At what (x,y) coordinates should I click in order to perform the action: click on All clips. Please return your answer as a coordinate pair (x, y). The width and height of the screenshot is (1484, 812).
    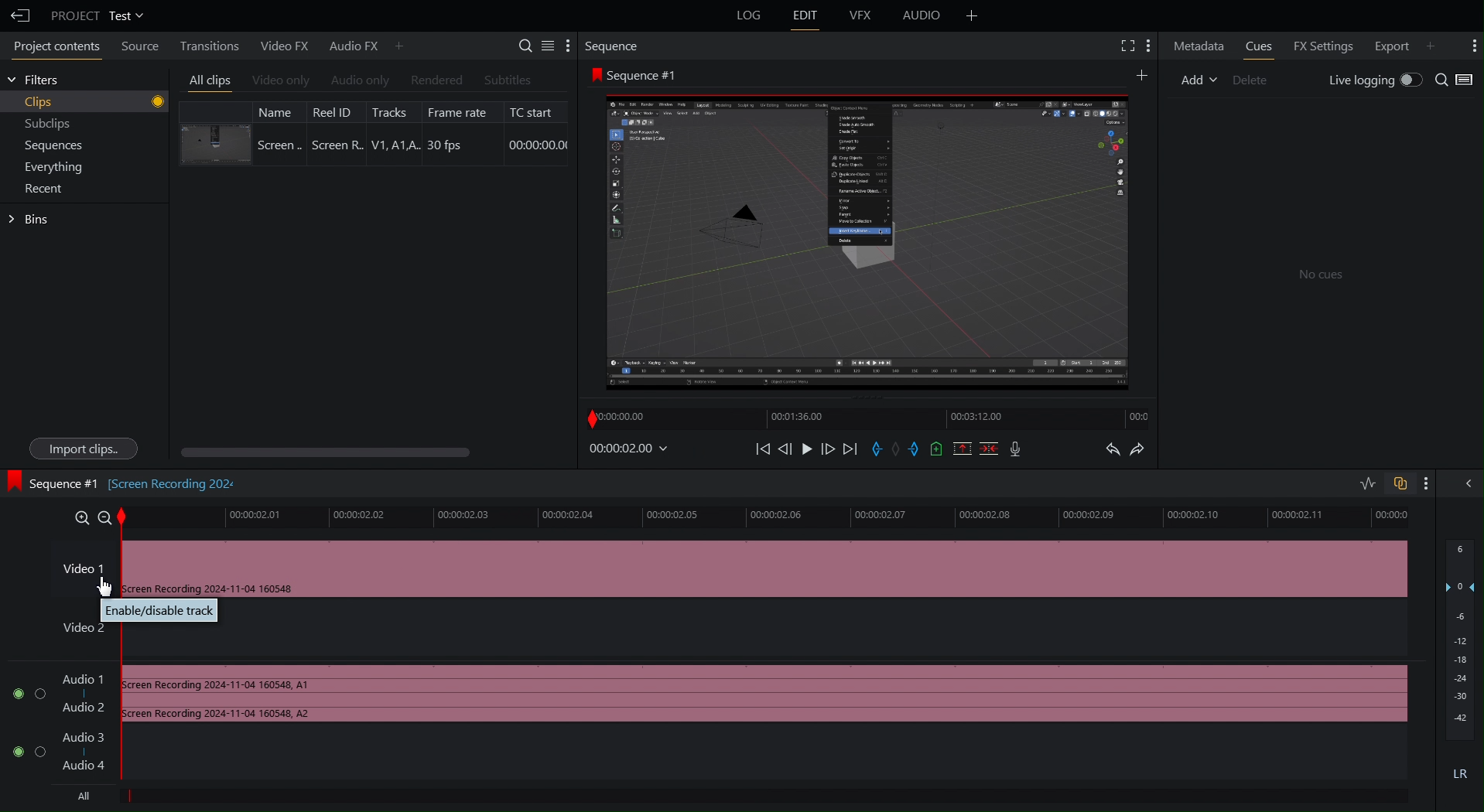
    Looking at the image, I should click on (207, 78).